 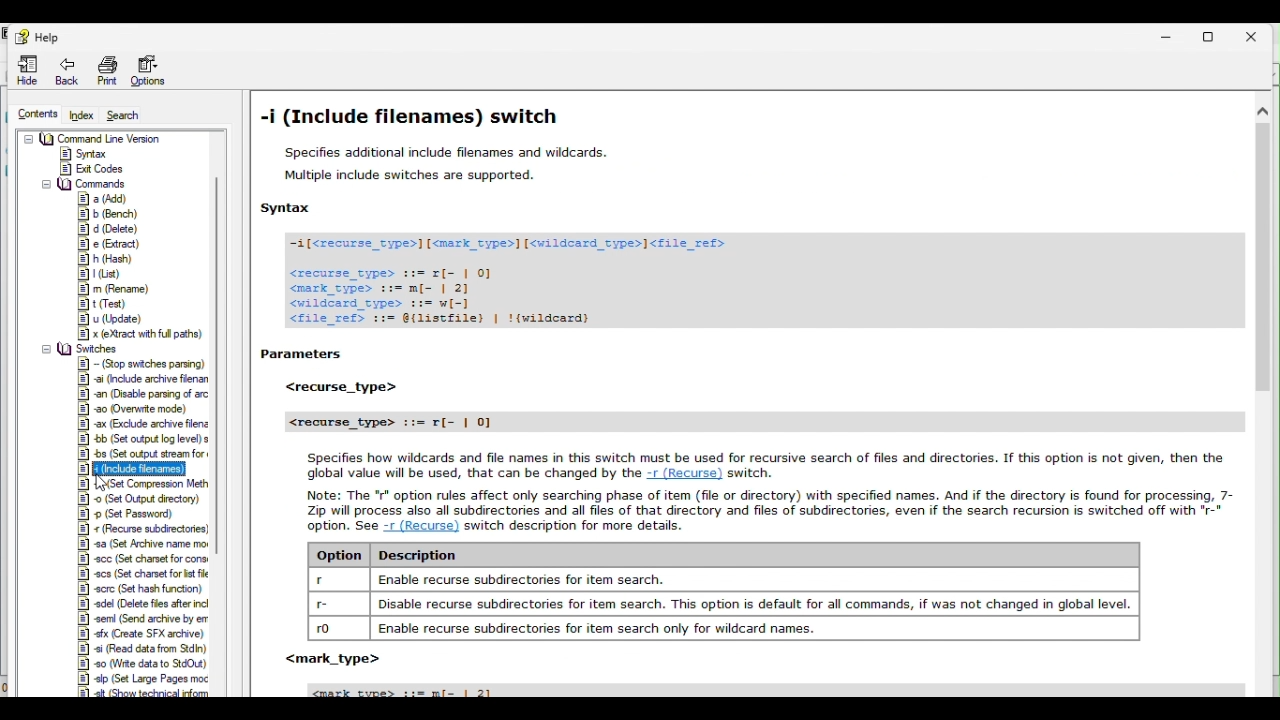 What do you see at coordinates (146, 379) in the screenshot?
I see `Include archive file name` at bounding box center [146, 379].